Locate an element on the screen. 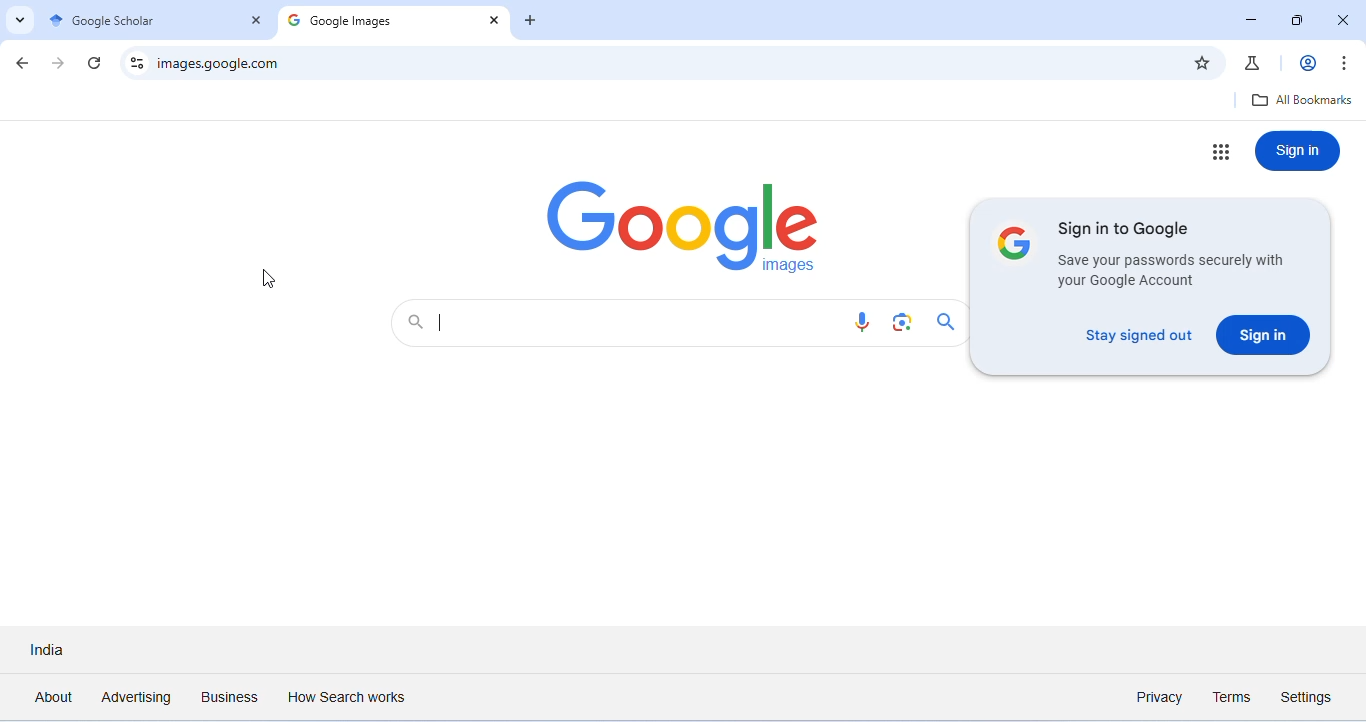 This screenshot has height=722, width=1366. site information is located at coordinates (137, 62).